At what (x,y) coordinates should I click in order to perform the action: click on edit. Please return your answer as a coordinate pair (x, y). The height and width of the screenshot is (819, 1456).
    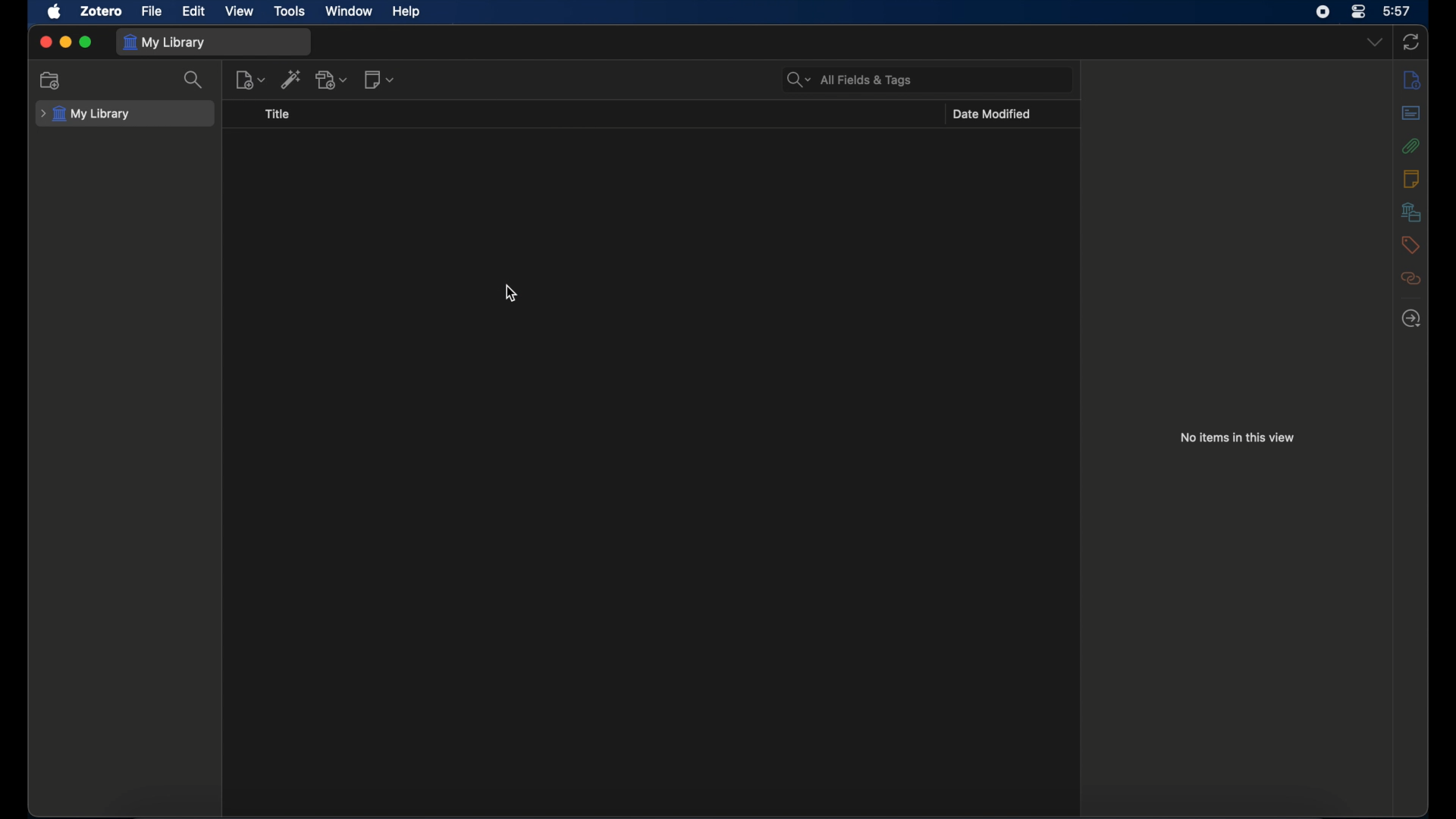
    Looking at the image, I should click on (193, 11).